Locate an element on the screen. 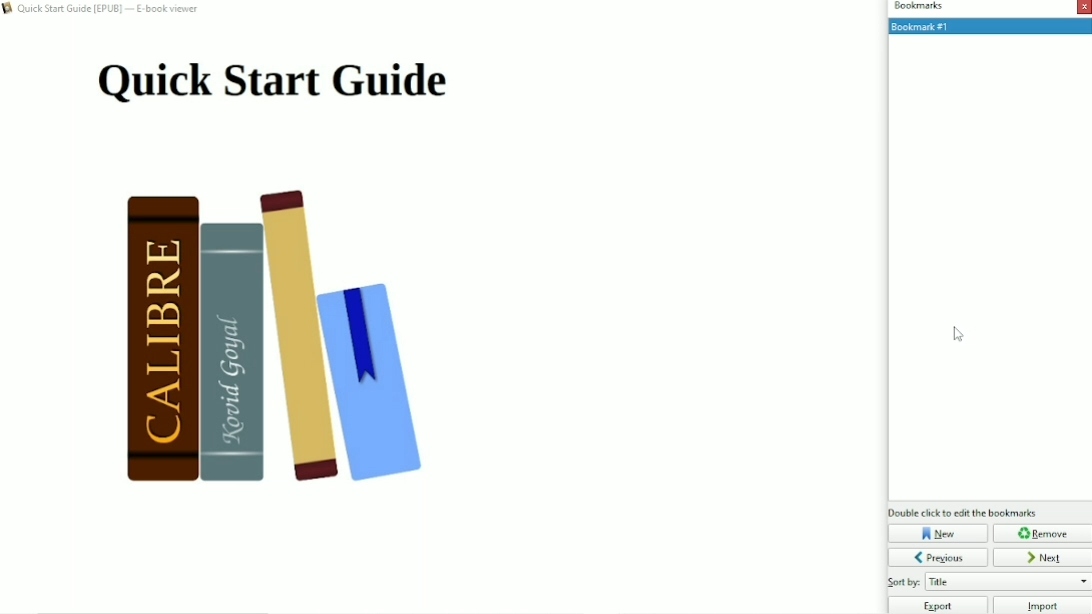 Image resolution: width=1092 pixels, height=614 pixels. New is located at coordinates (938, 533).